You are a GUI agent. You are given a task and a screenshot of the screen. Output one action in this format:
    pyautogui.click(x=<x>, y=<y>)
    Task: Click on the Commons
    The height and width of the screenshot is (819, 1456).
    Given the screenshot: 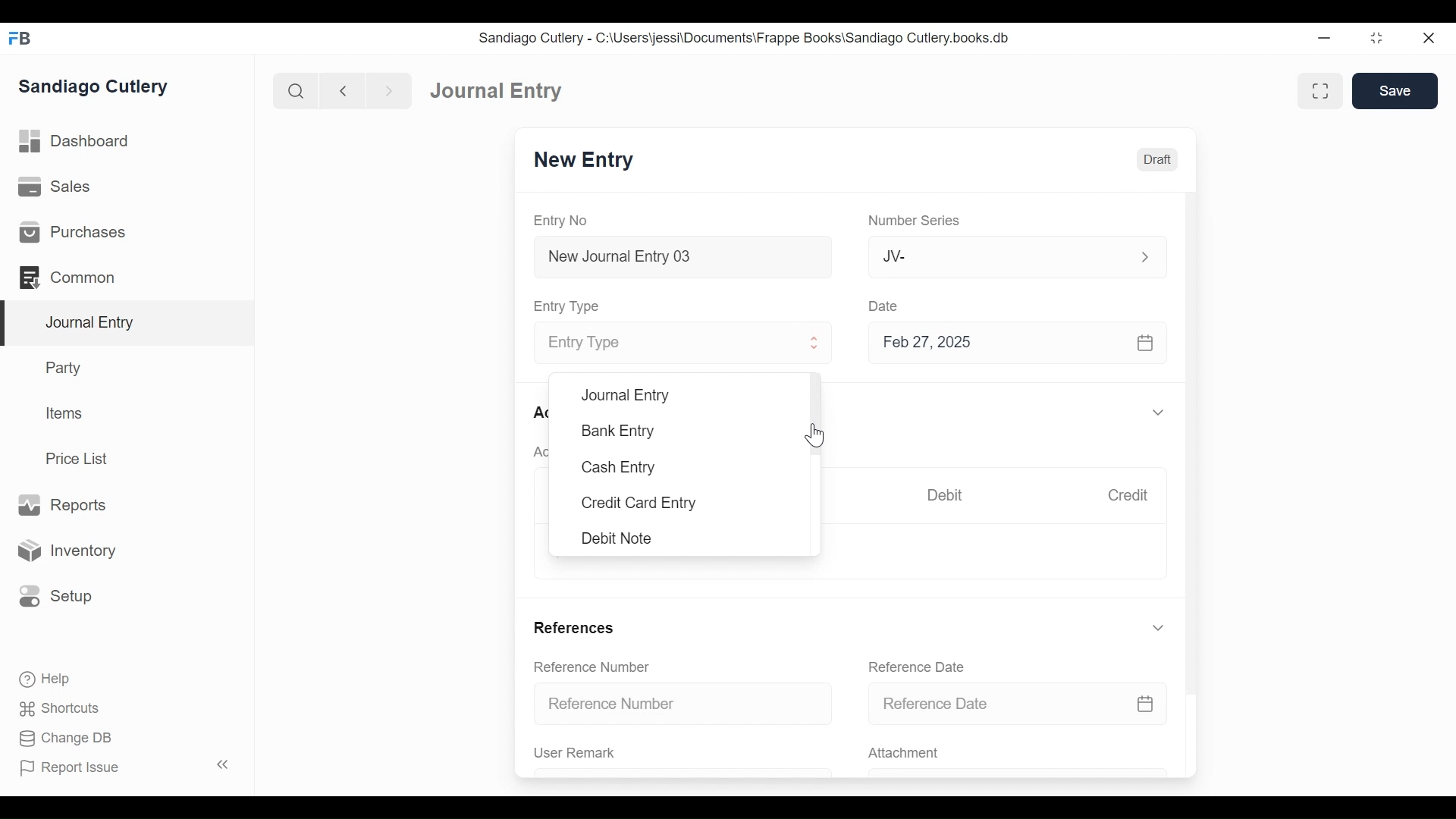 What is the action you would take?
    pyautogui.click(x=66, y=277)
    